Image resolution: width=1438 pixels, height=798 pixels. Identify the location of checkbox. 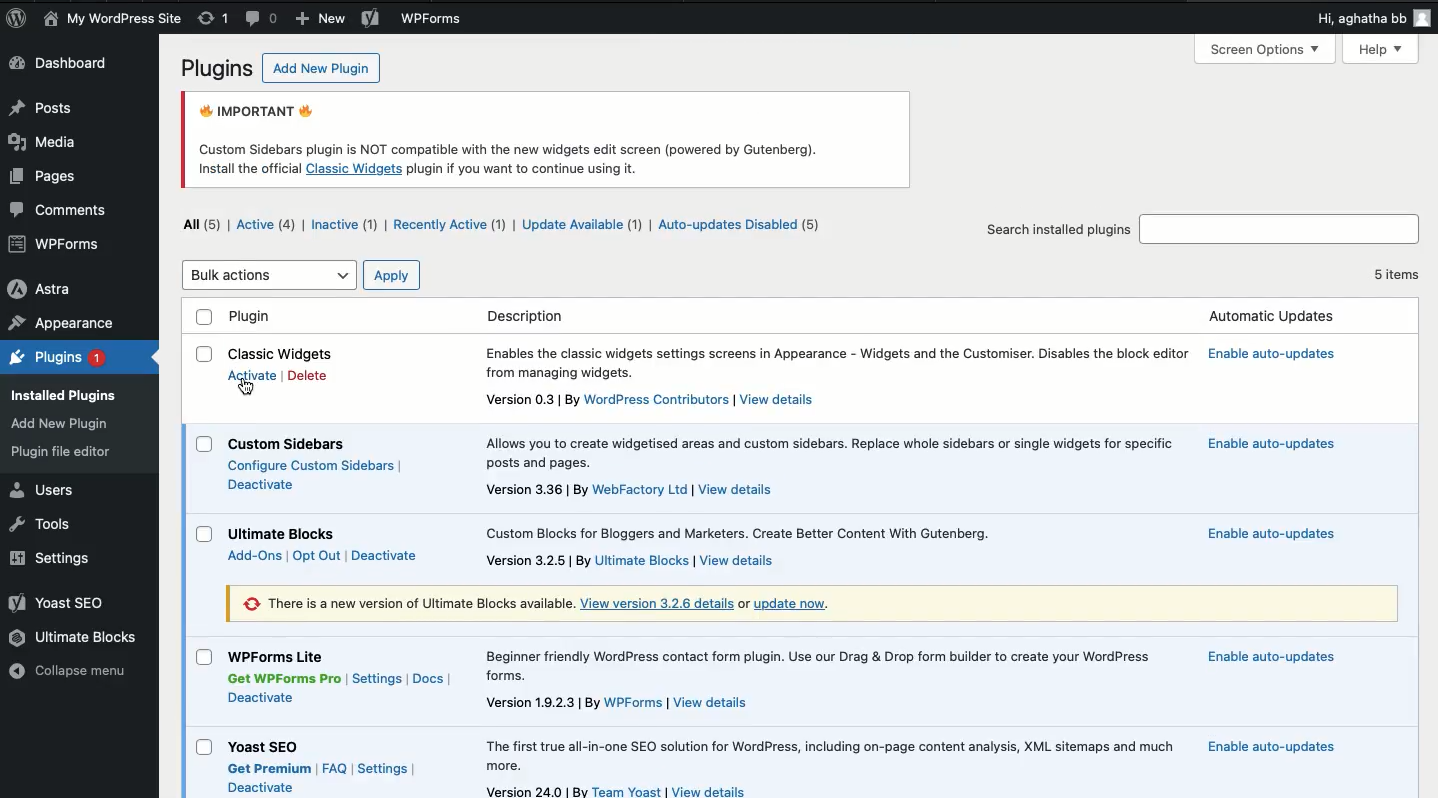
(205, 354).